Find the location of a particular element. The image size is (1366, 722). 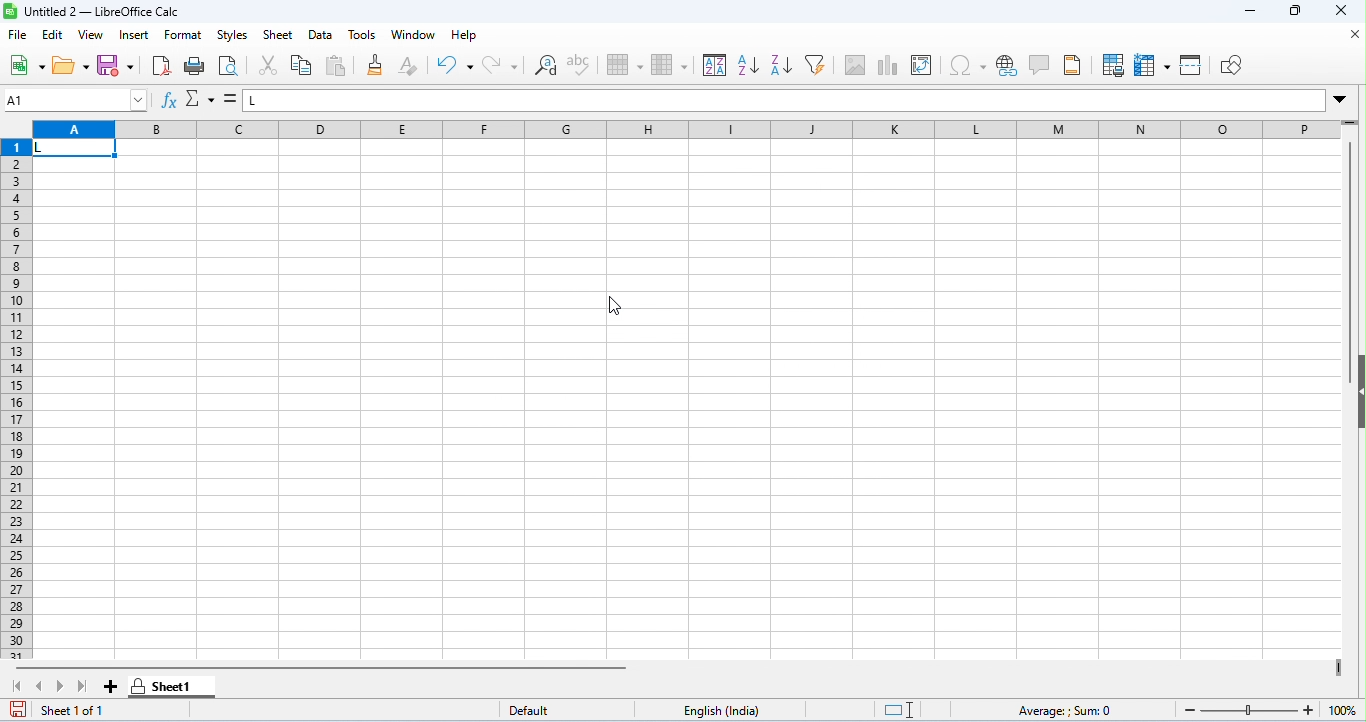

insert special characters is located at coordinates (967, 66).